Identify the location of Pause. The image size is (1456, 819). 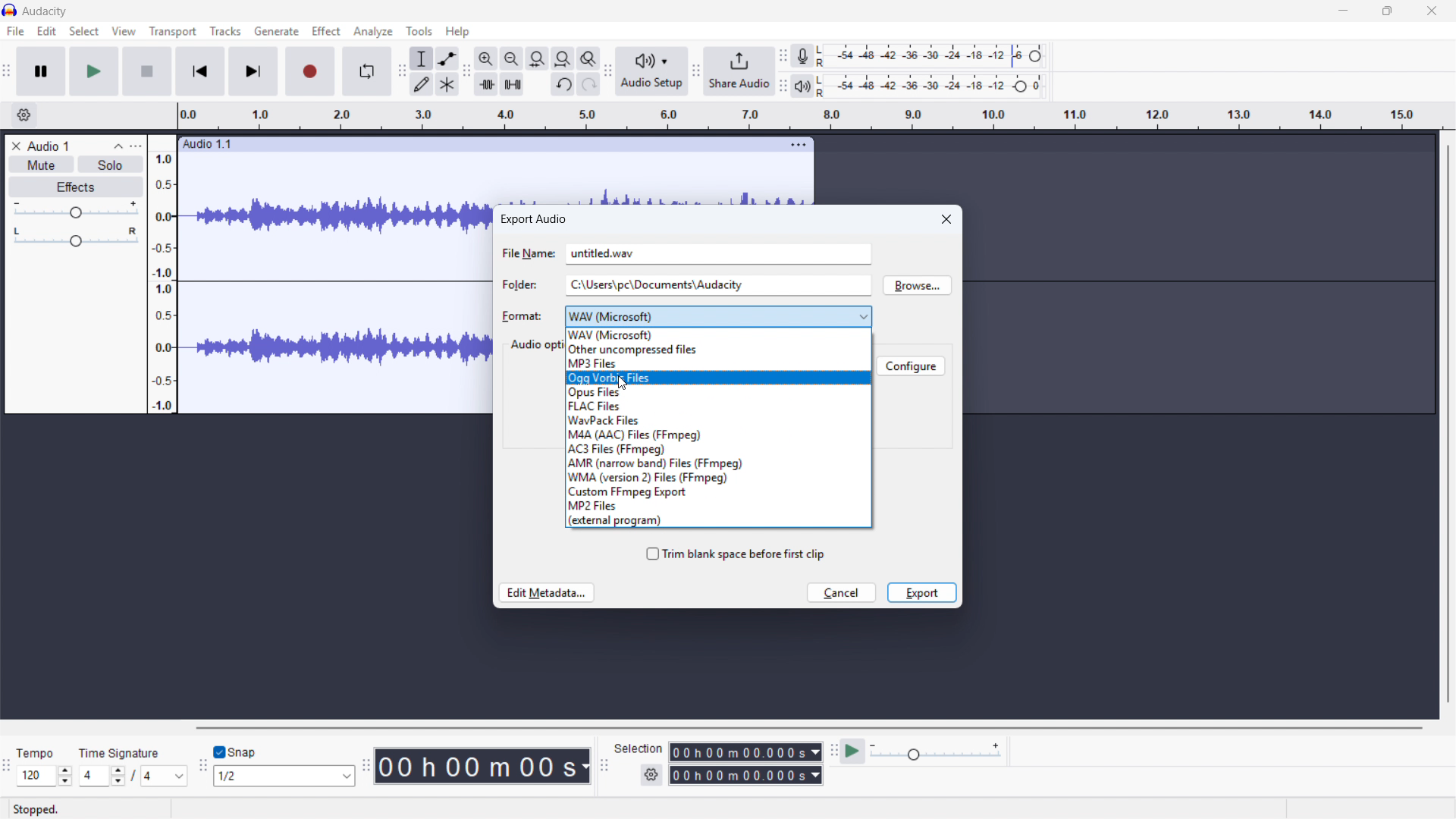
(41, 71).